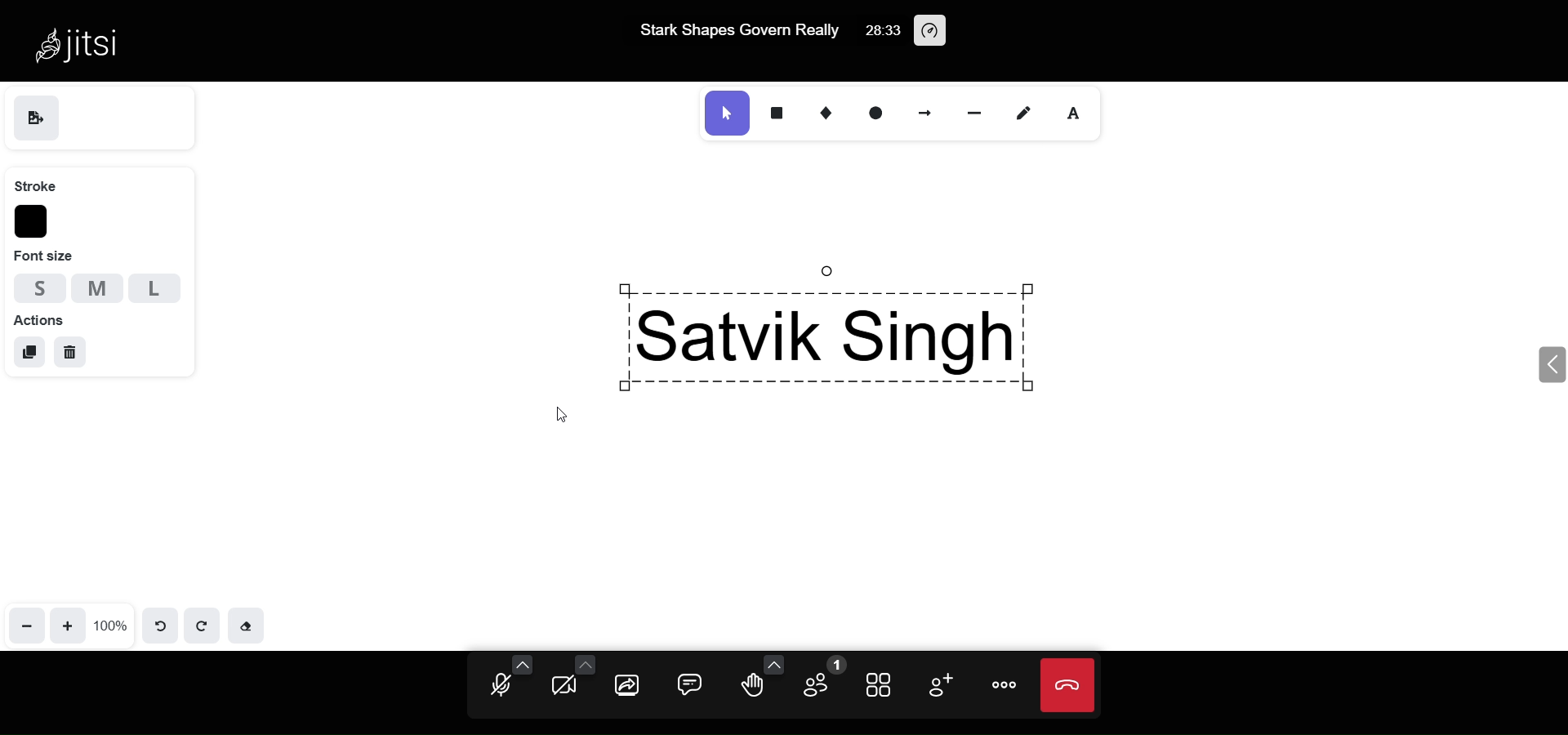 Image resolution: width=1568 pixels, height=735 pixels. I want to click on save as image, so click(35, 118).